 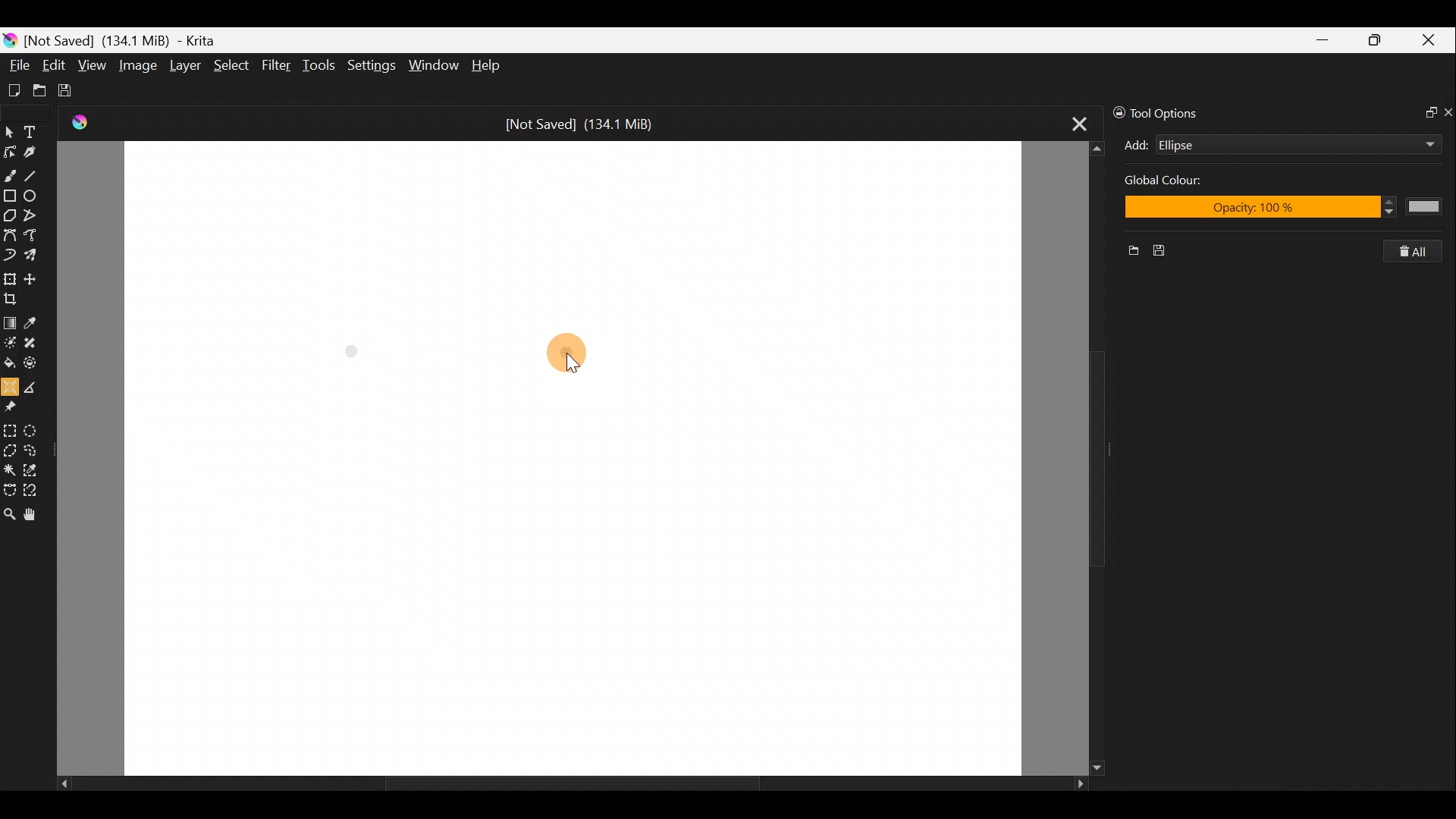 I want to click on Sample a colour from image/current layer, so click(x=33, y=320).